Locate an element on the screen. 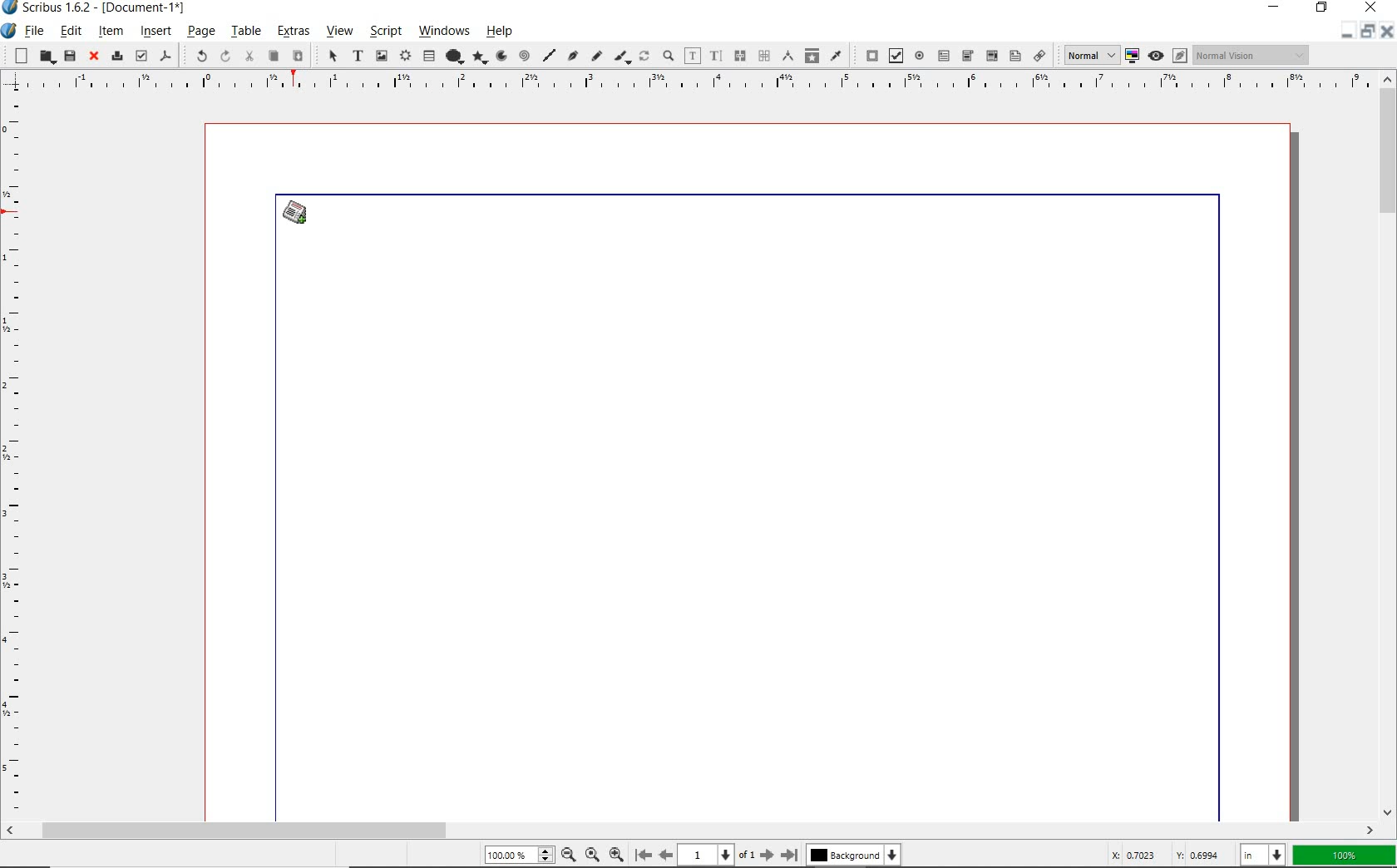  toggle color is located at coordinates (1133, 55).